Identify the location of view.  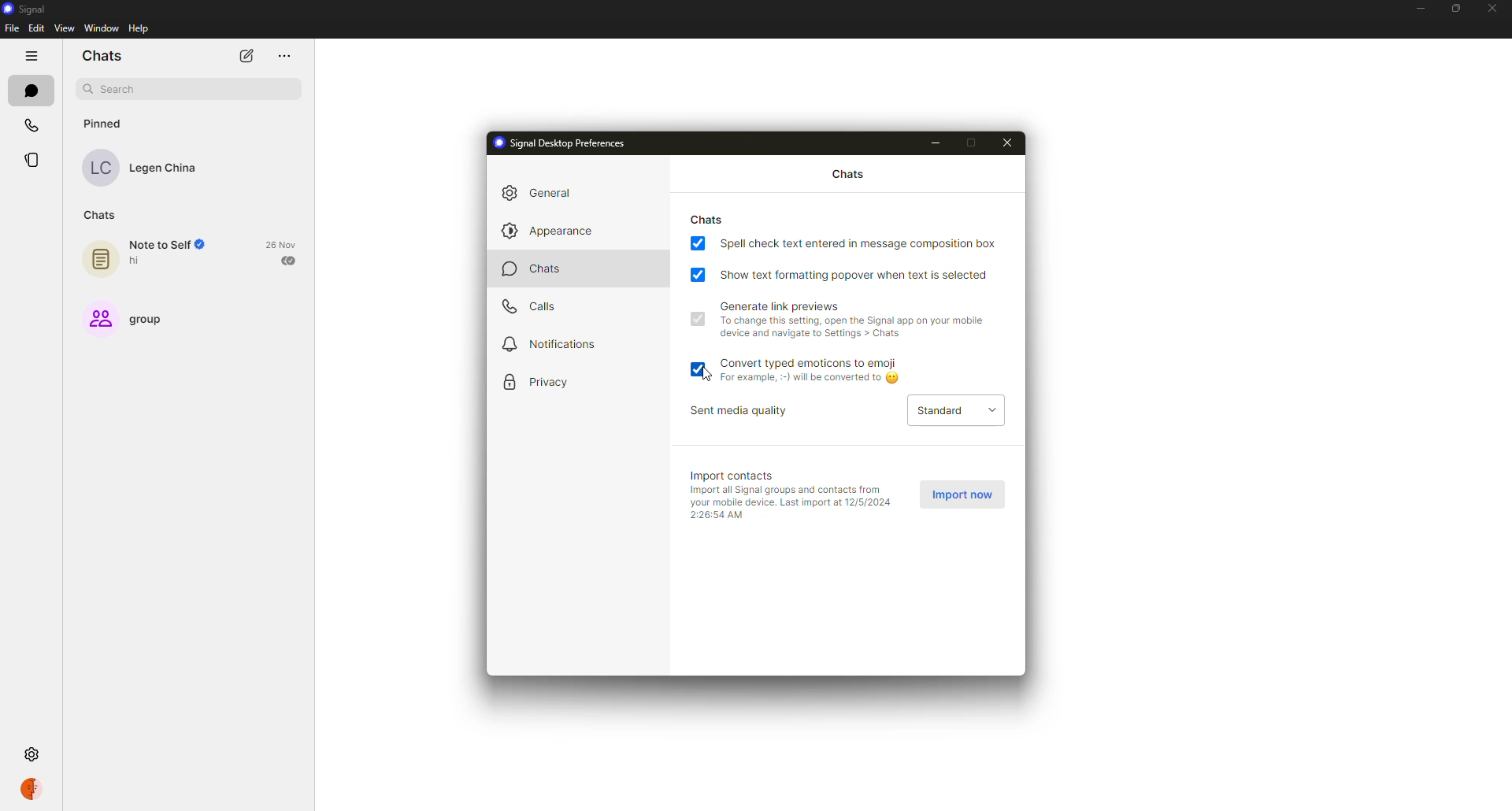
(63, 28).